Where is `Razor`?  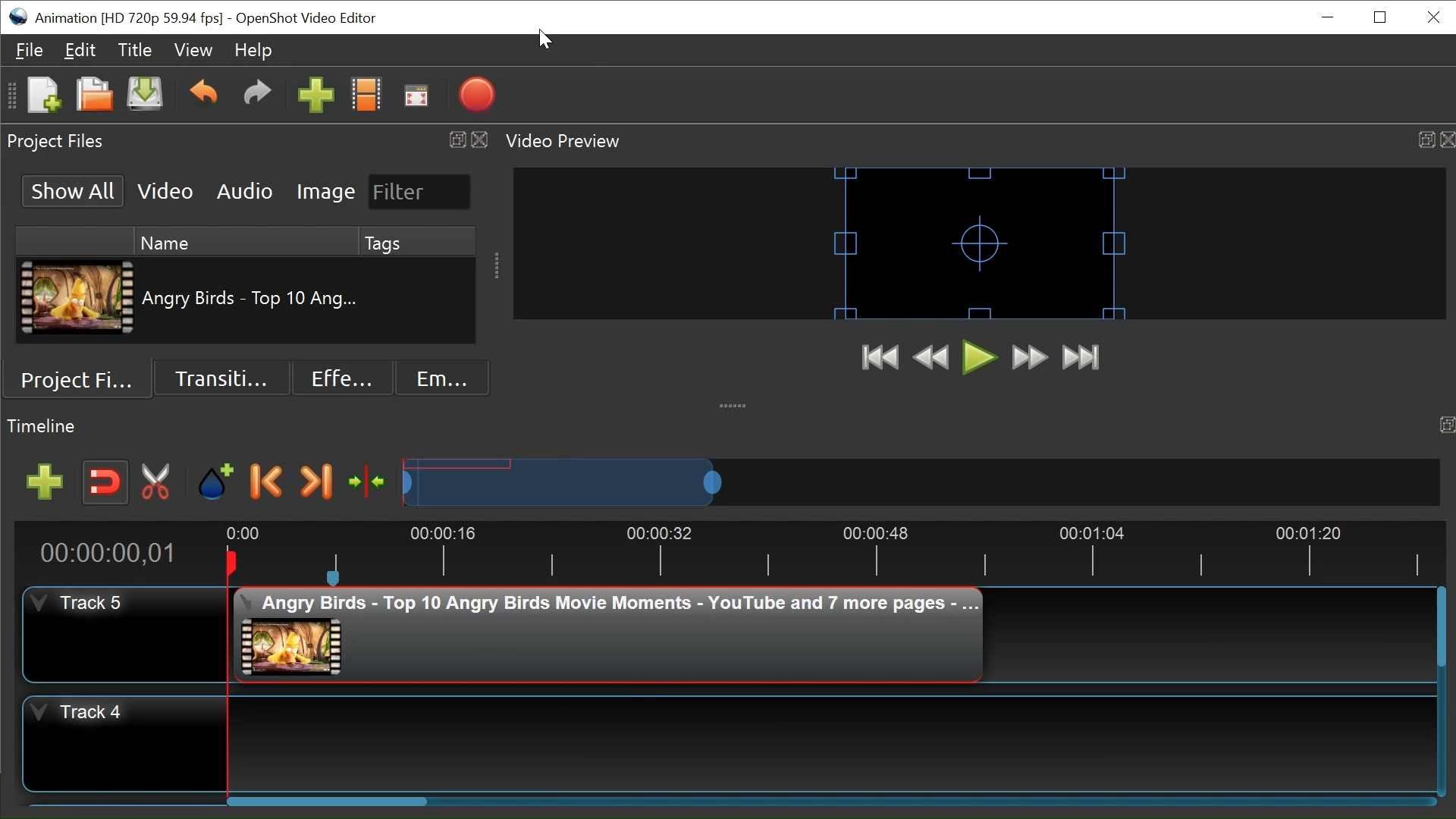 Razor is located at coordinates (158, 482).